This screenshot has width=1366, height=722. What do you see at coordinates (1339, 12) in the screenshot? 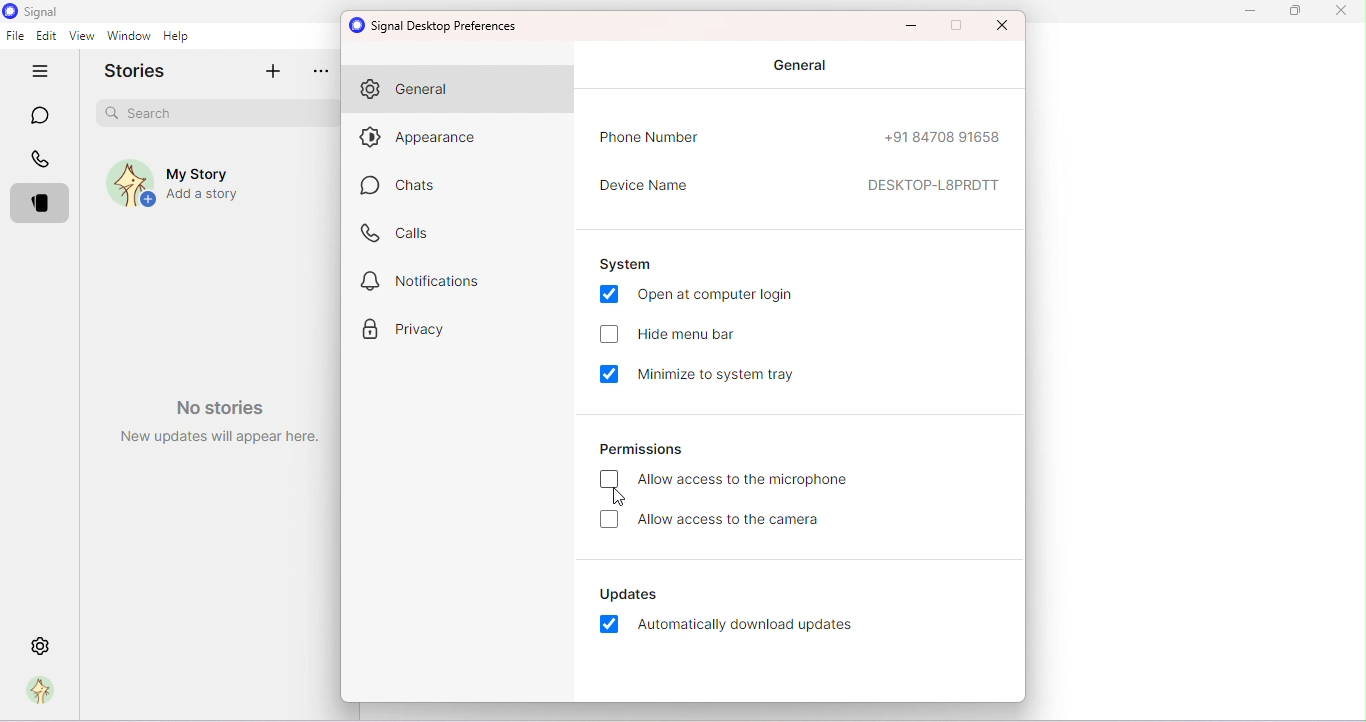
I see `Close` at bounding box center [1339, 12].